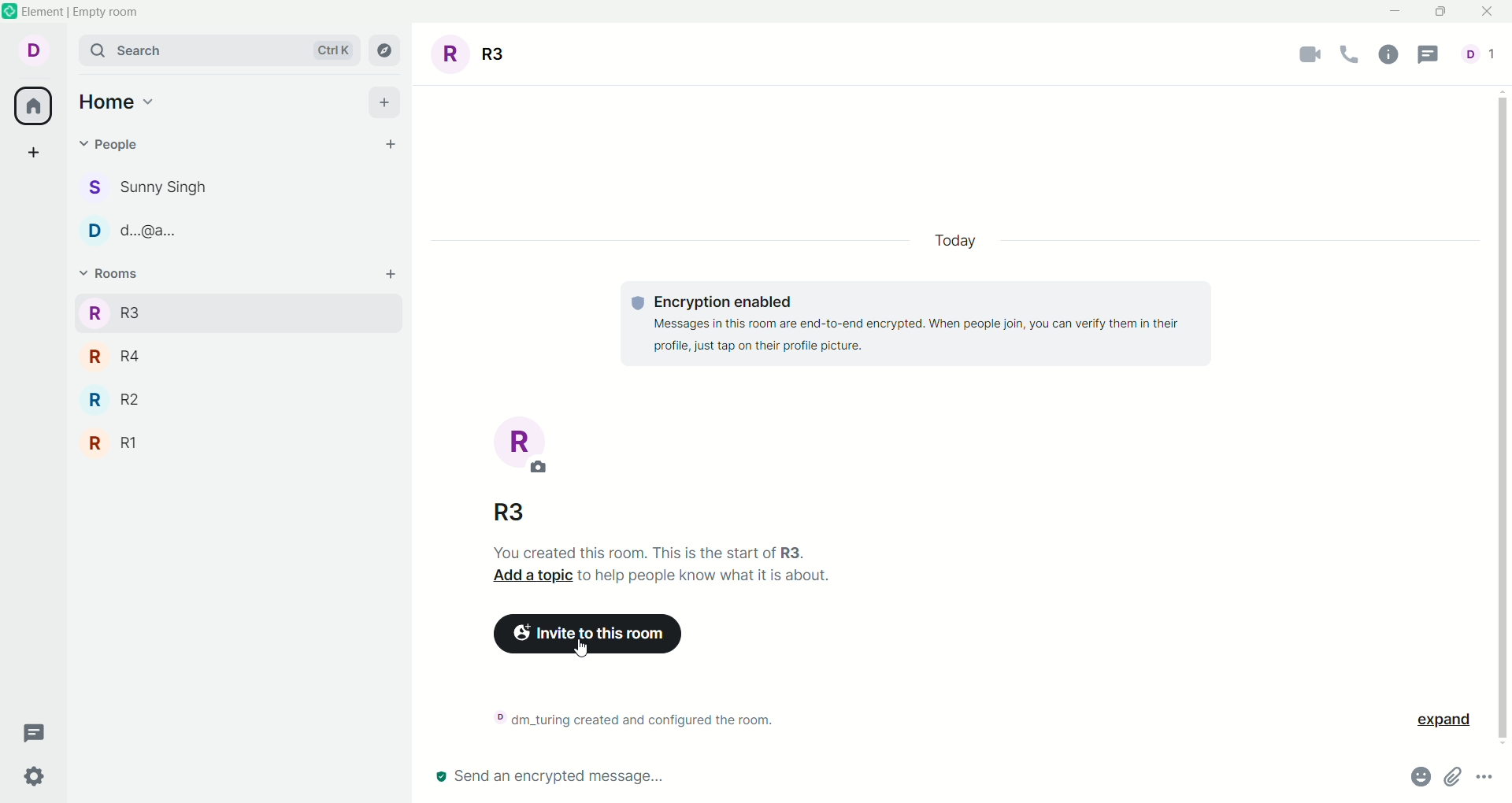  What do you see at coordinates (35, 105) in the screenshot?
I see `all rooms` at bounding box center [35, 105].